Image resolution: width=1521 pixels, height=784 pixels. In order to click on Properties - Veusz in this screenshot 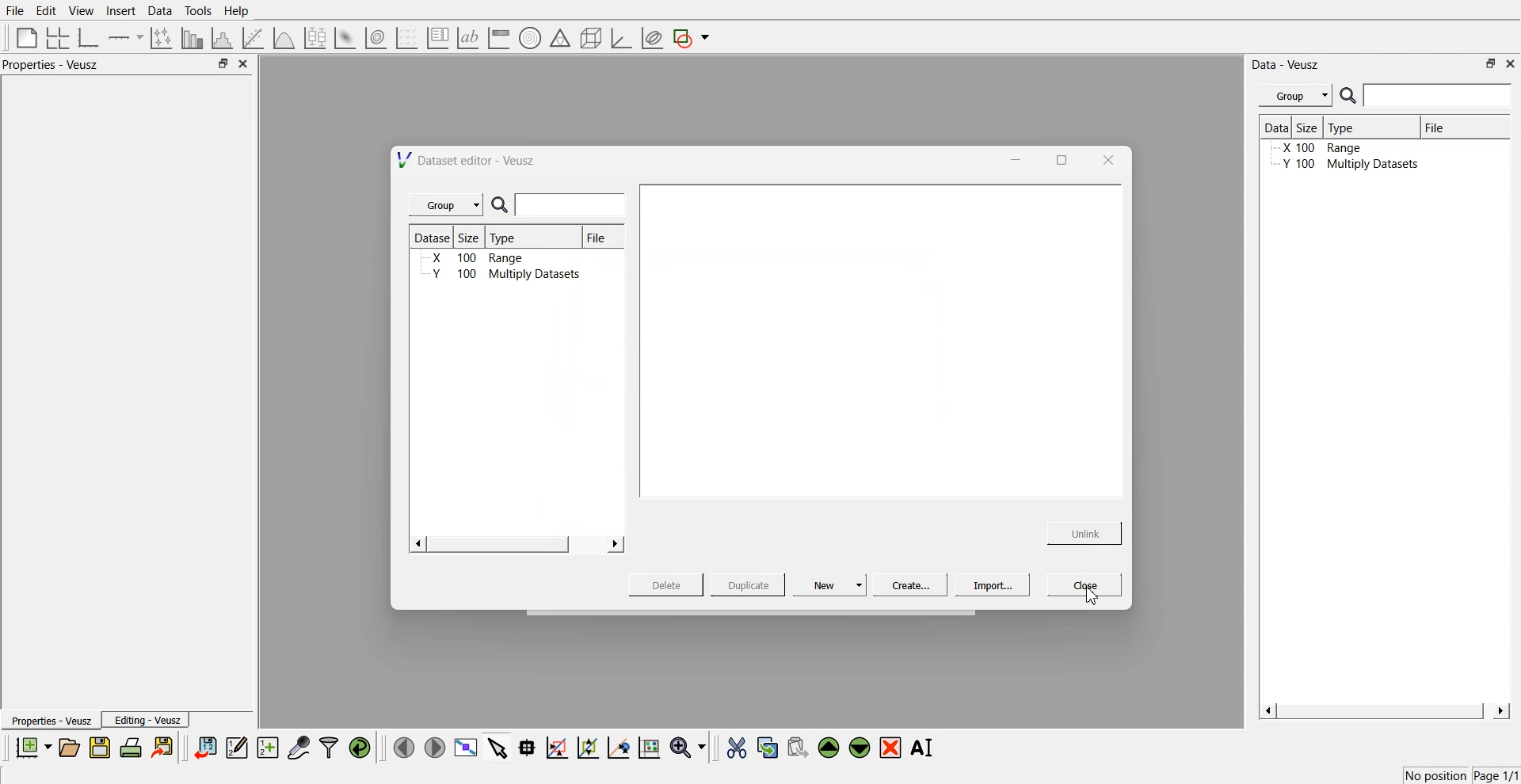, I will do `click(55, 65)`.